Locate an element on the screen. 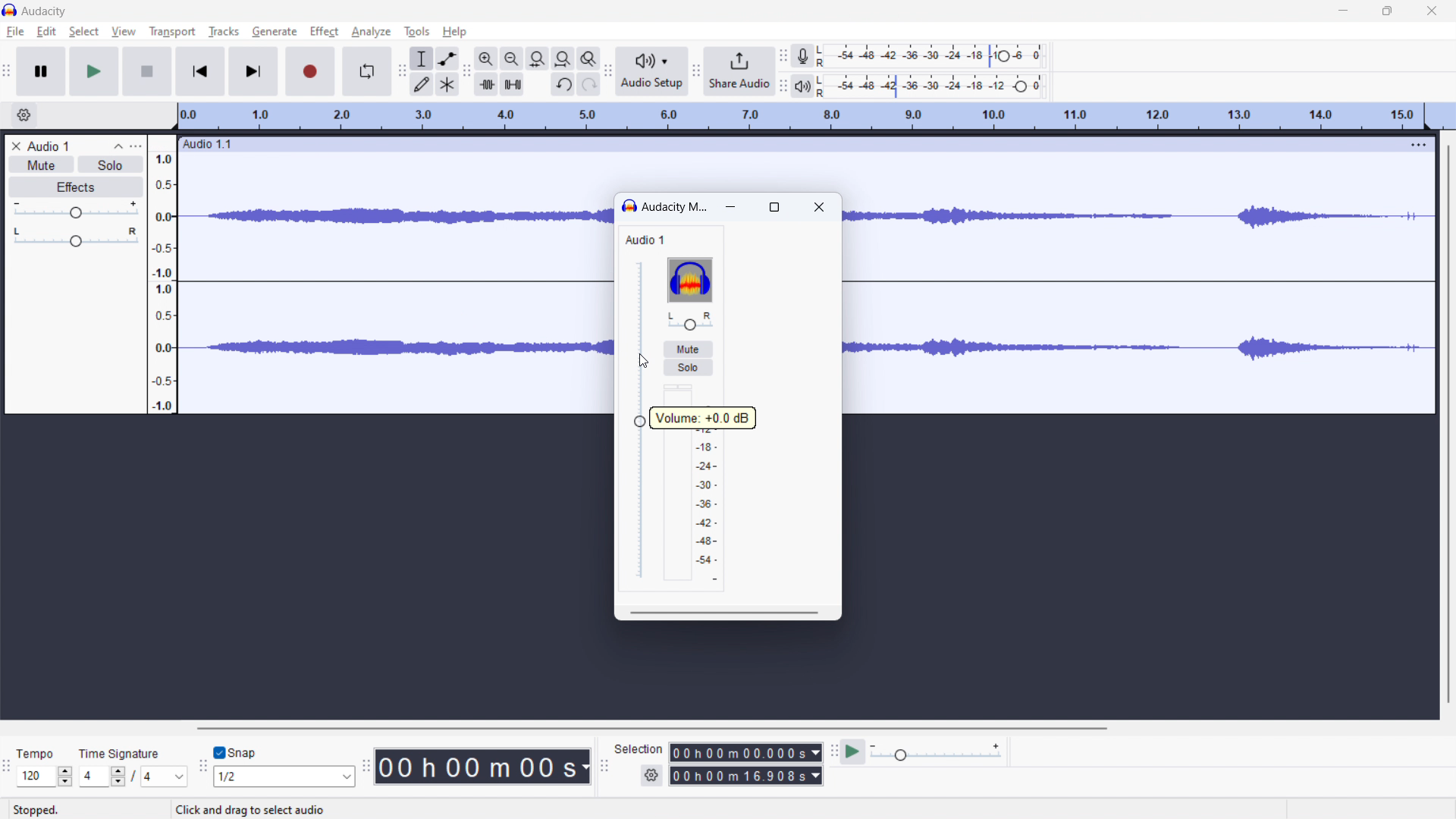 This screenshot has width=1456, height=819. playback meter toolbar is located at coordinates (783, 86).